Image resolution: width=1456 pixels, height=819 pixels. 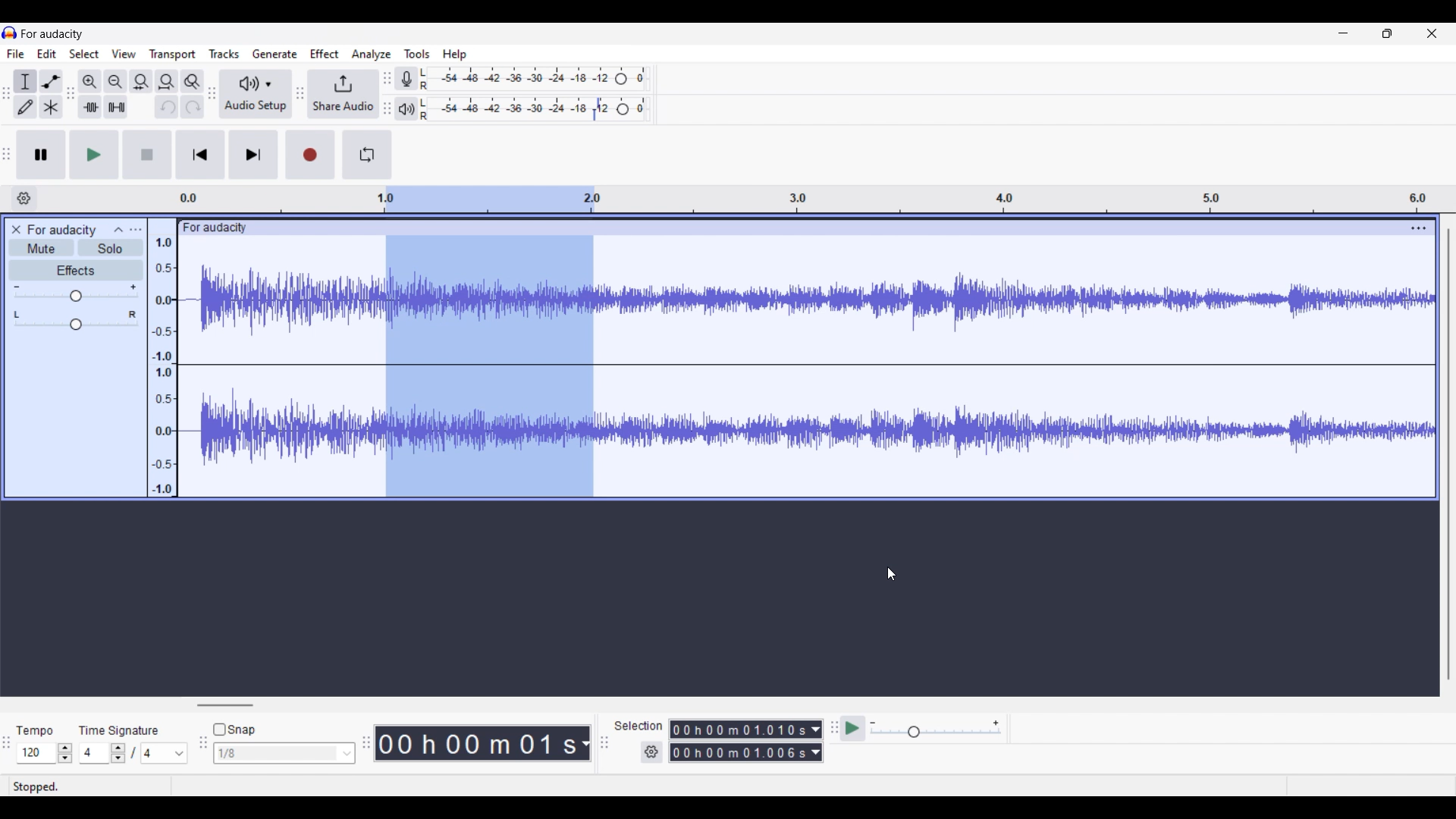 What do you see at coordinates (94, 155) in the screenshot?
I see `Play/Play once` at bounding box center [94, 155].